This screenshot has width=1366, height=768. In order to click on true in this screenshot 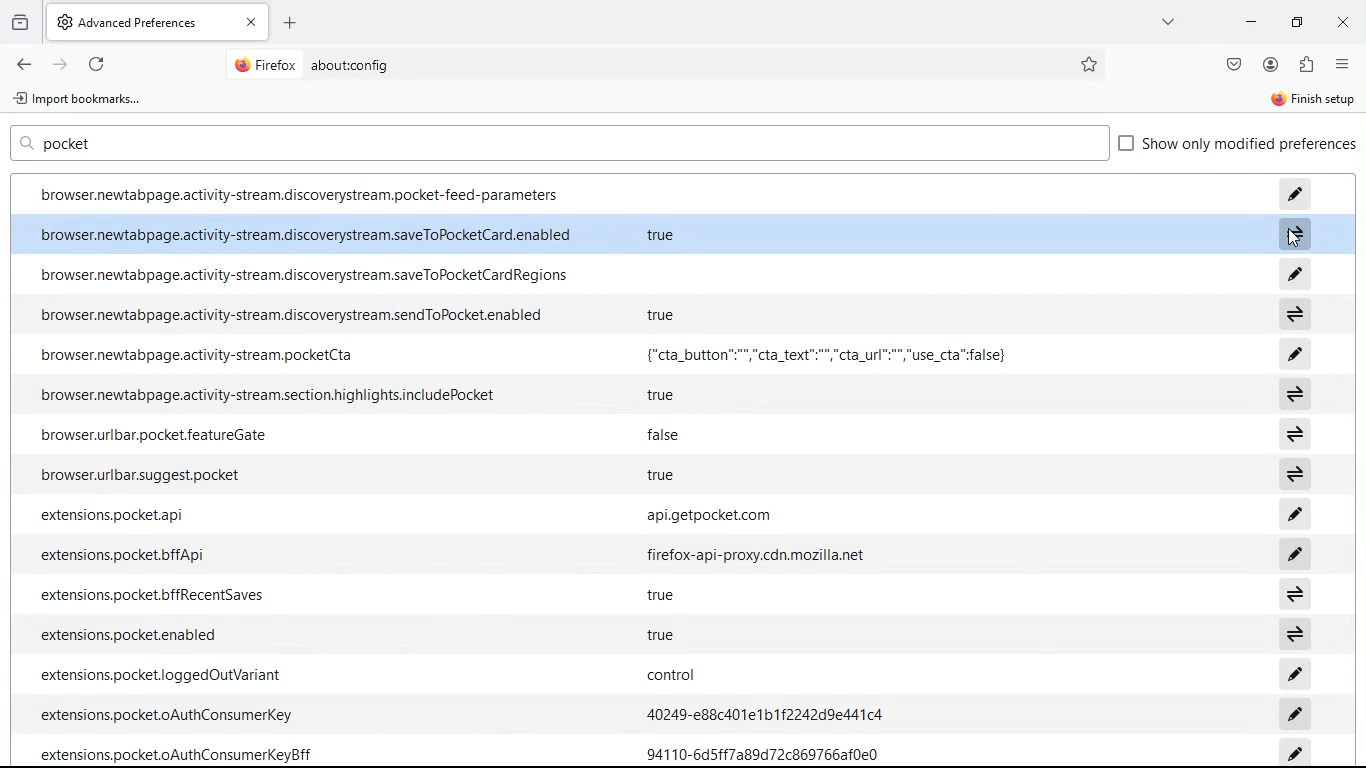, I will do `click(669, 236)`.